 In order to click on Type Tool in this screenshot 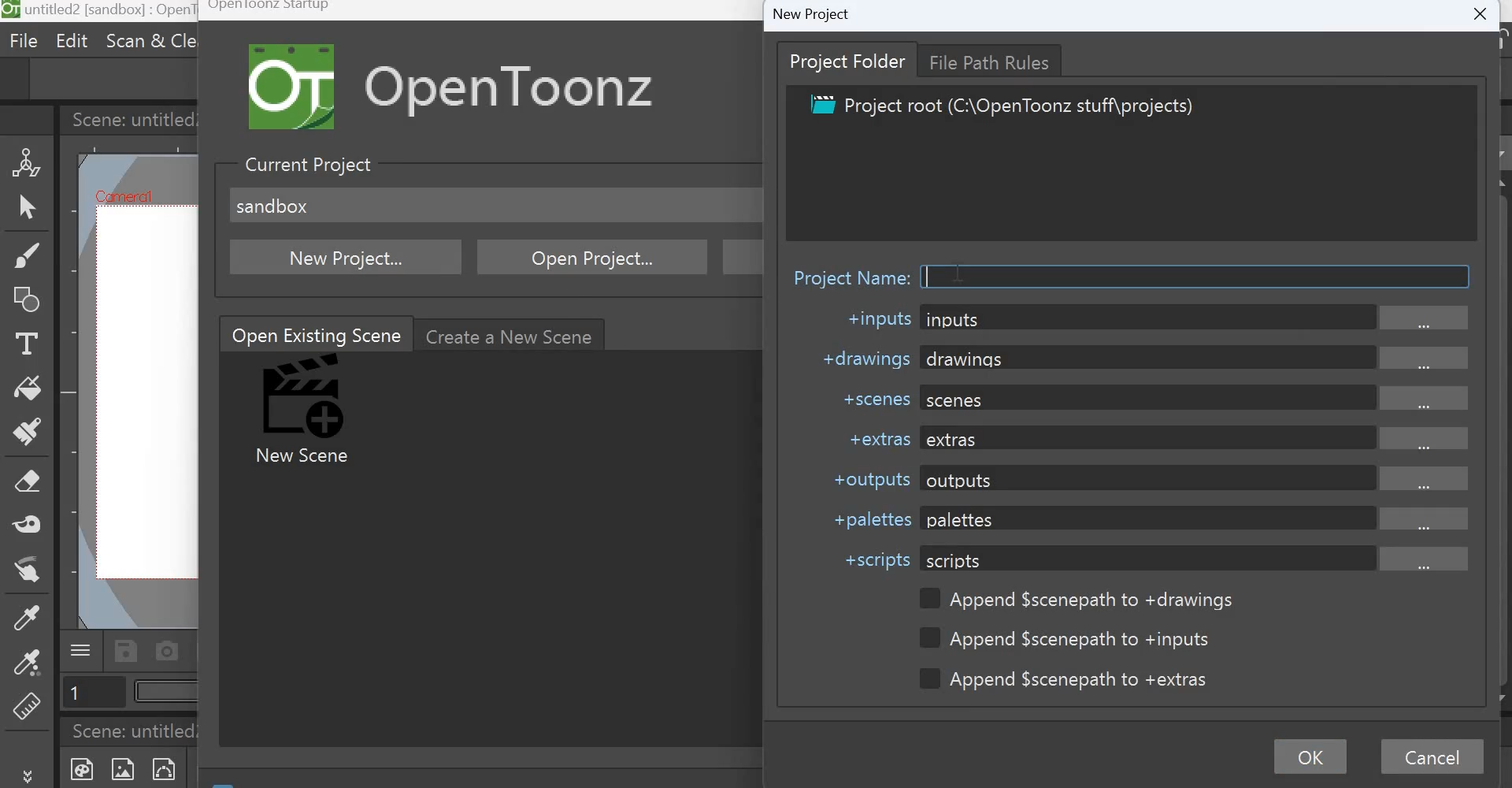, I will do `click(24, 346)`.